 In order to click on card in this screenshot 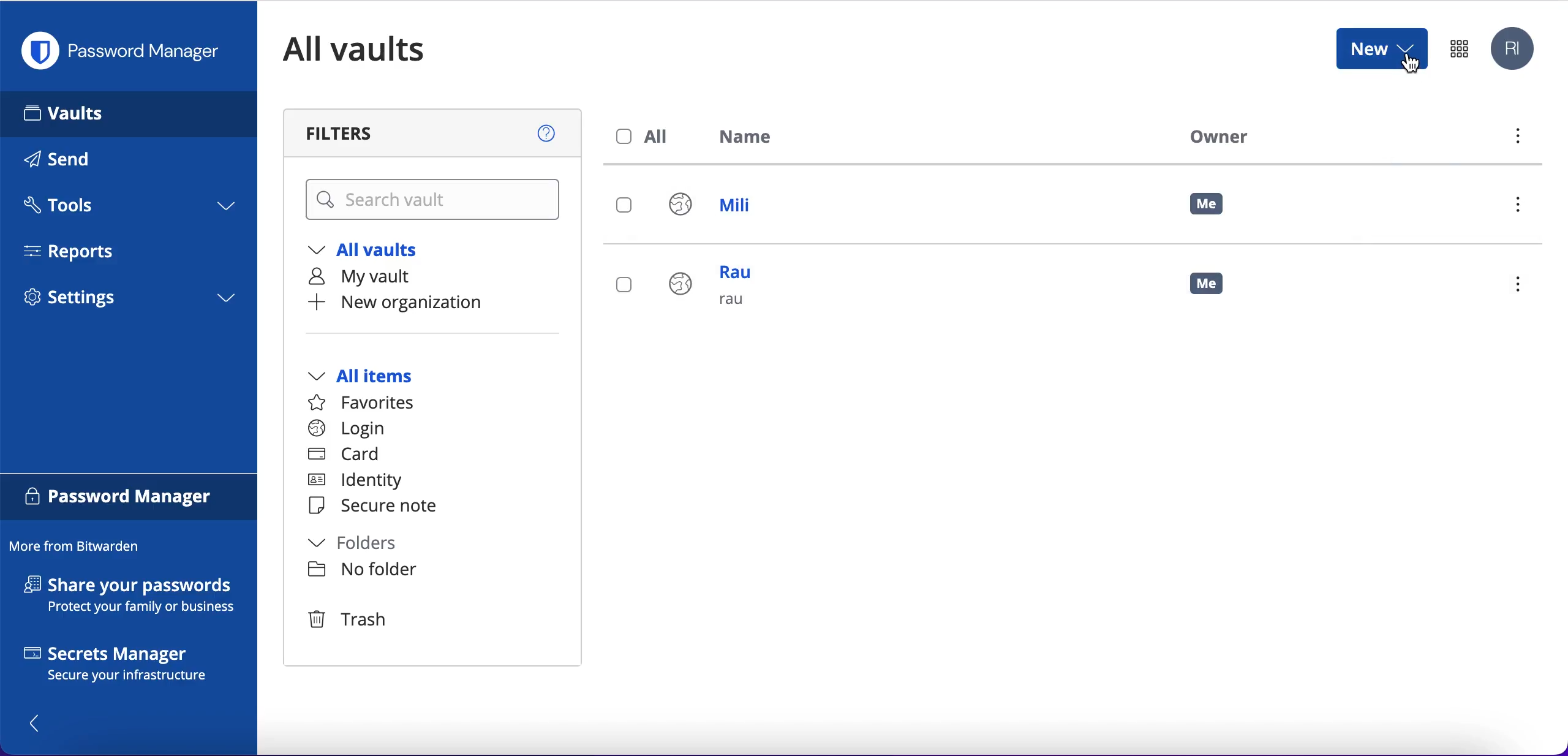, I will do `click(346, 456)`.